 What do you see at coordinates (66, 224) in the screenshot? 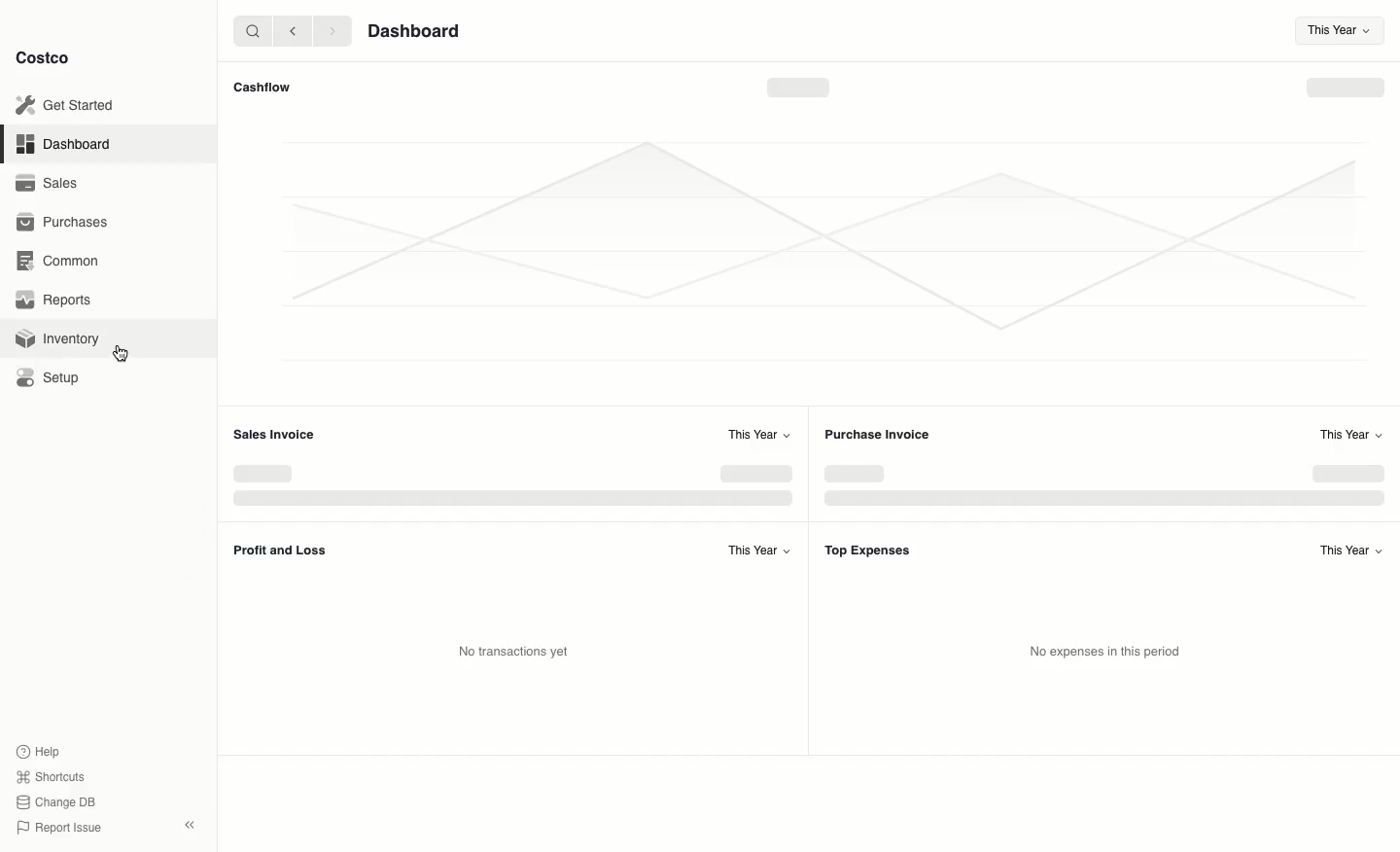
I see `Purchases` at bounding box center [66, 224].